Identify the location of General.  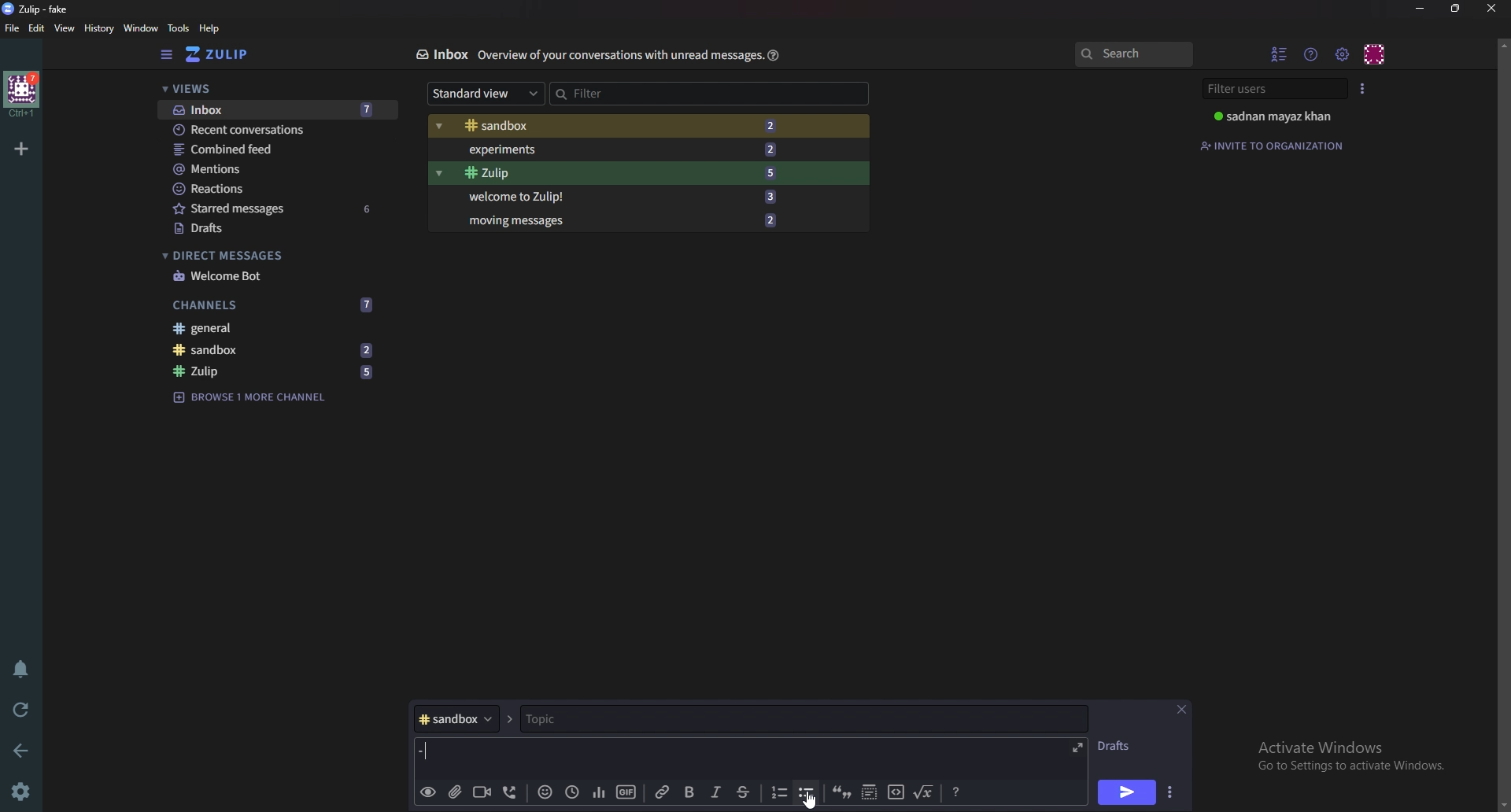
(268, 327).